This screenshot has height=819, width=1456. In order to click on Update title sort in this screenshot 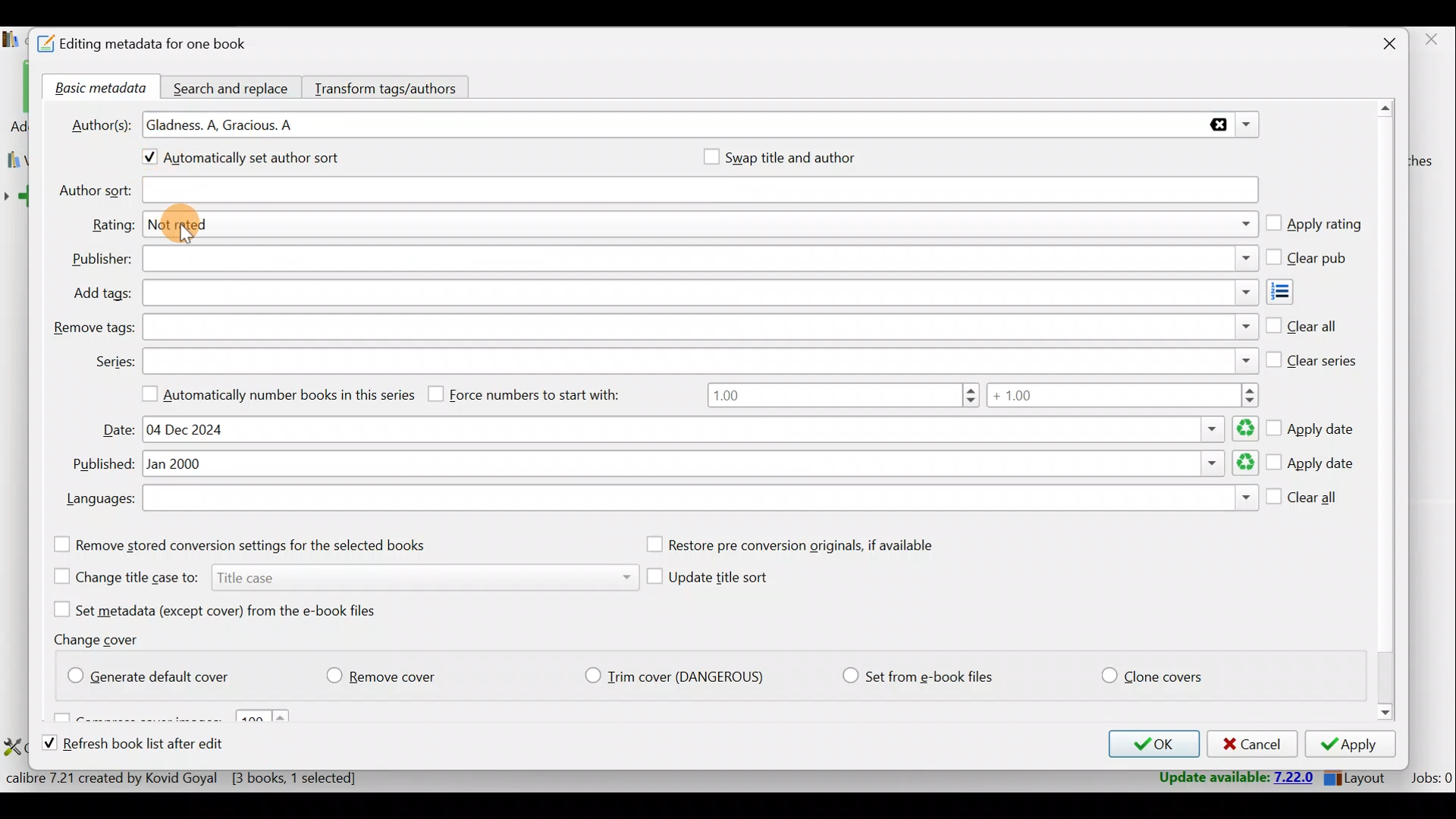, I will do `click(722, 580)`.